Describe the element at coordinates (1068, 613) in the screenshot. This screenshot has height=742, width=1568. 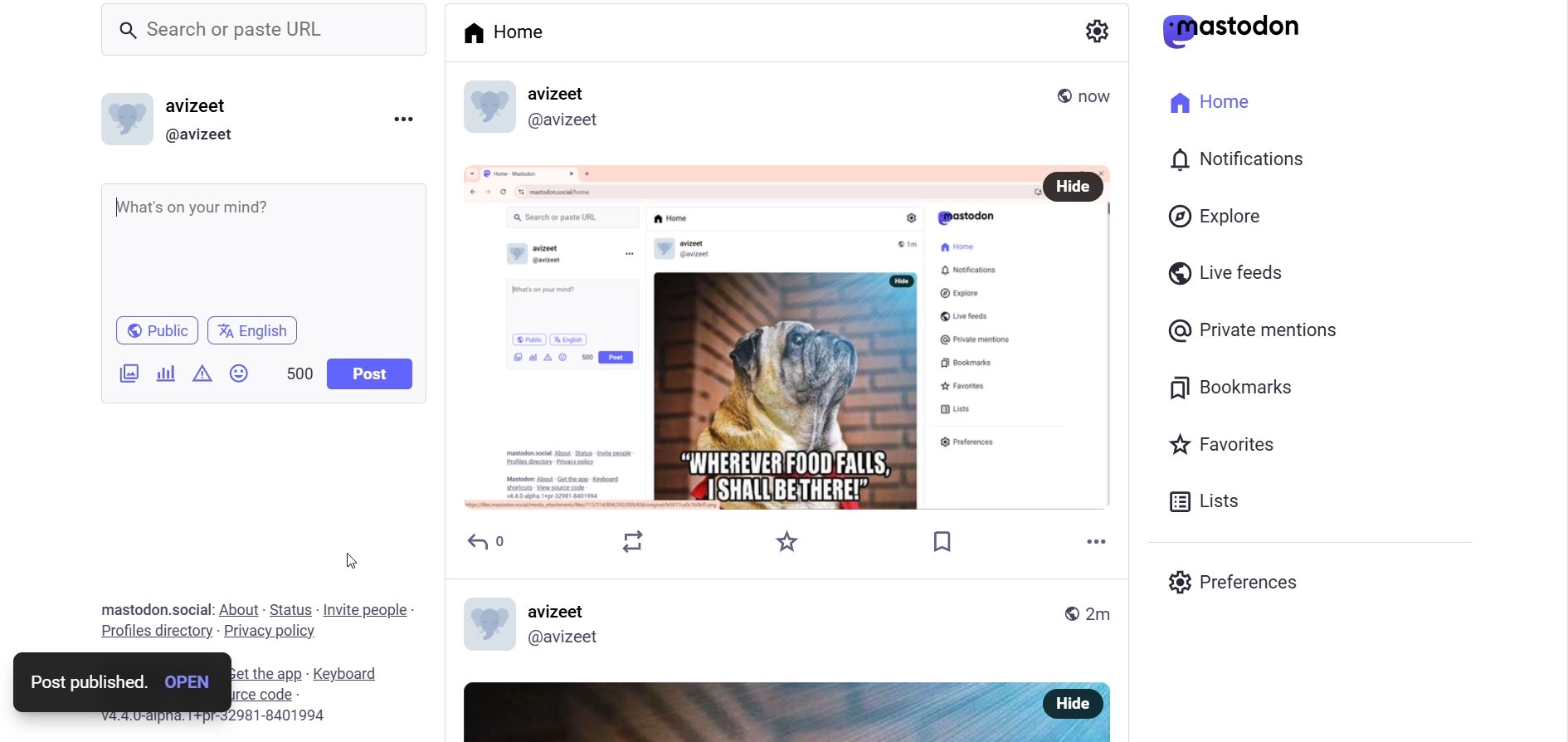
I see `public post` at that location.